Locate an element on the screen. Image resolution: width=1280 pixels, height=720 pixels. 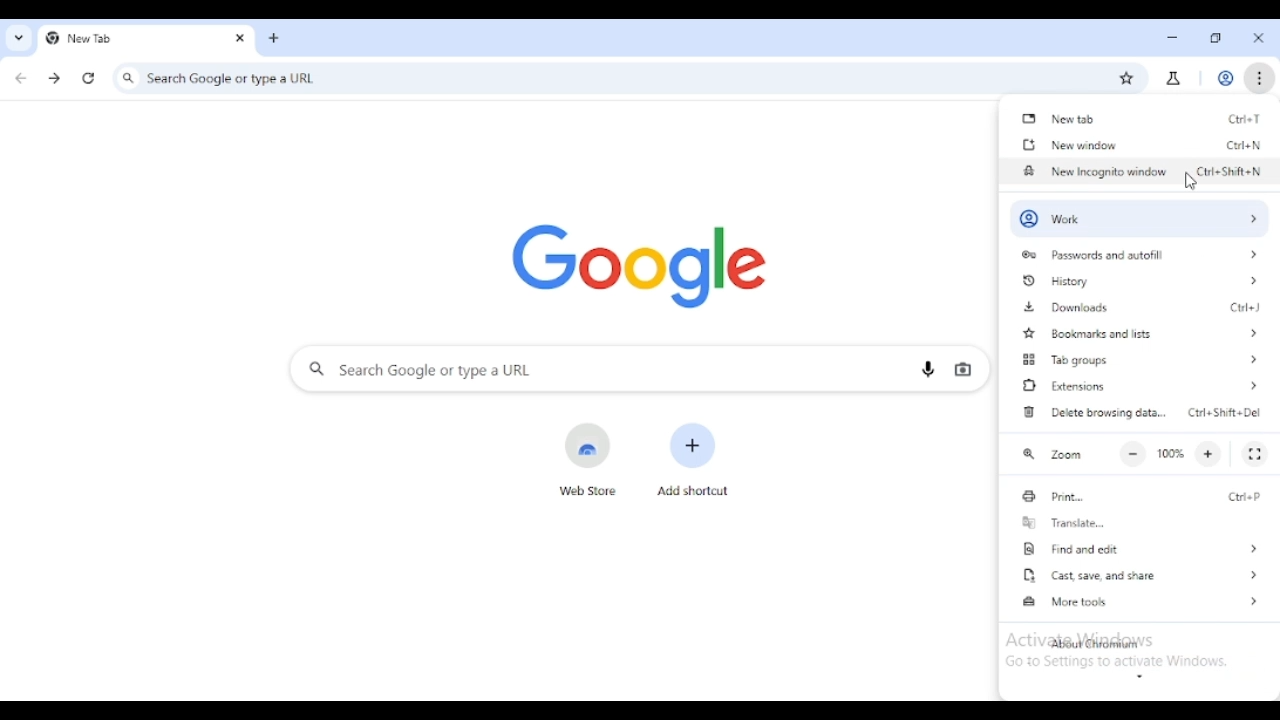
about chromium is located at coordinates (1092, 644).